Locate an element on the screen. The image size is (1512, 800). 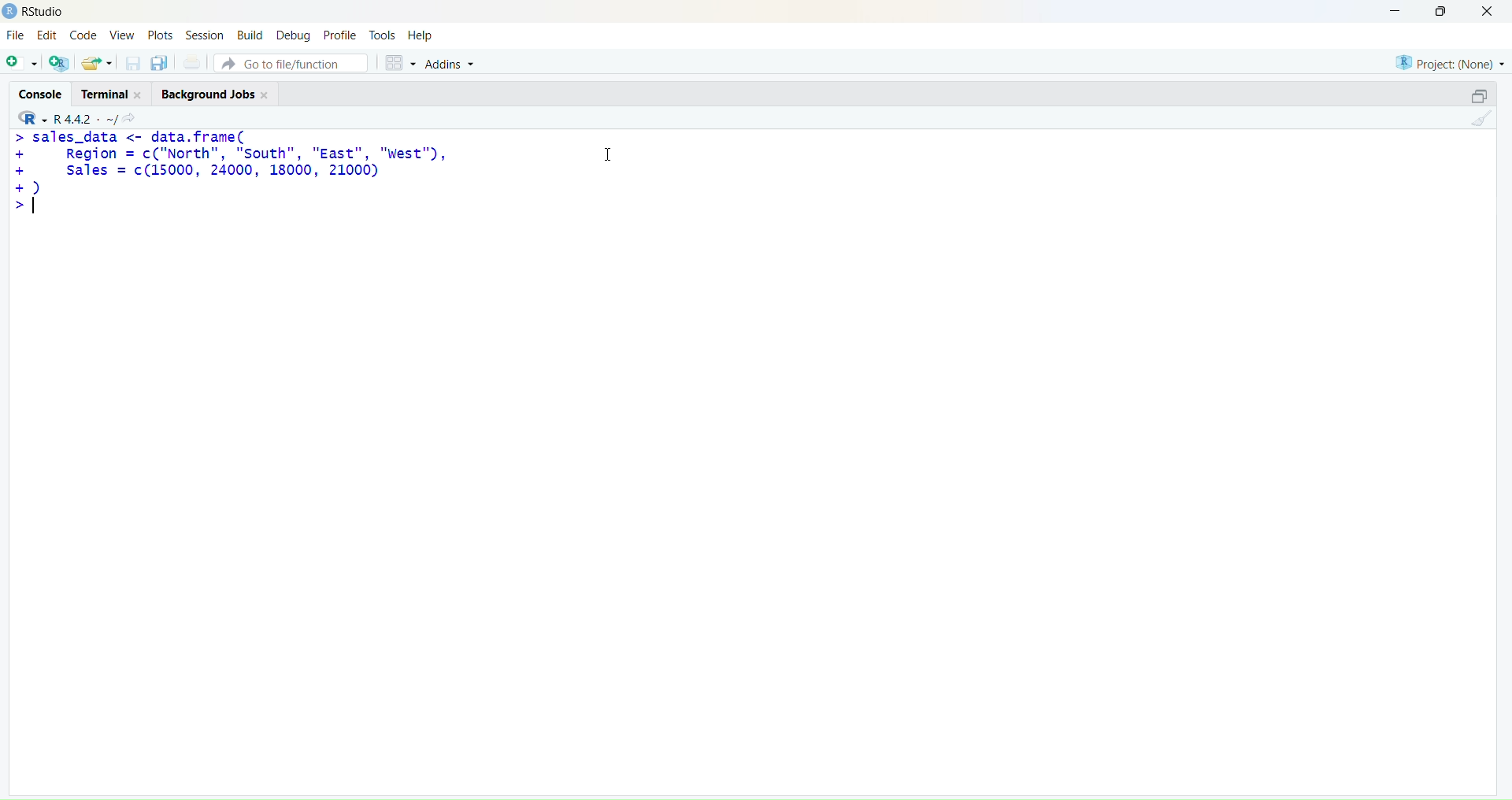
Code is located at coordinates (84, 35).